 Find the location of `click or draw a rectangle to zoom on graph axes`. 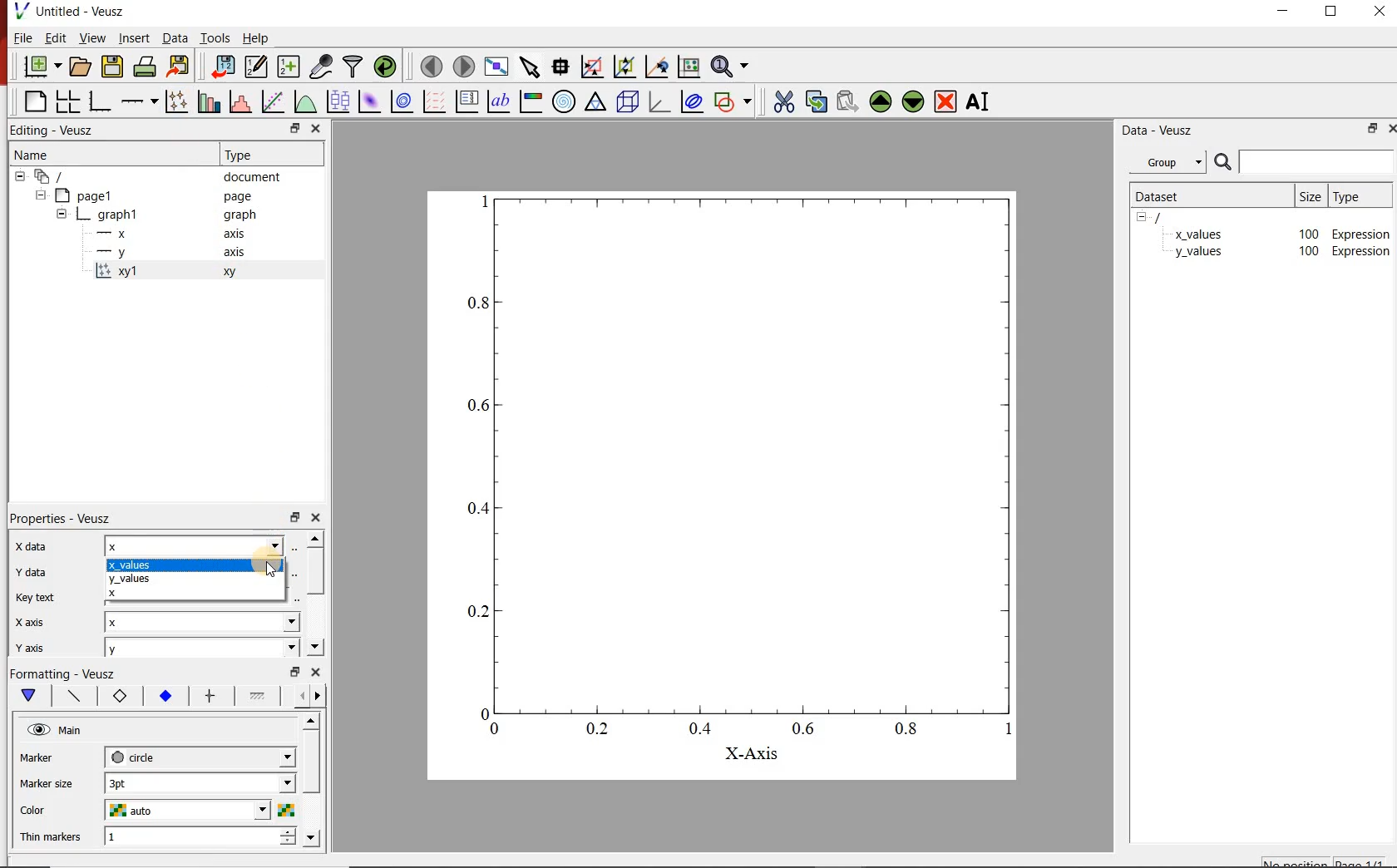

click or draw a rectangle to zoom on graph axes is located at coordinates (592, 67).